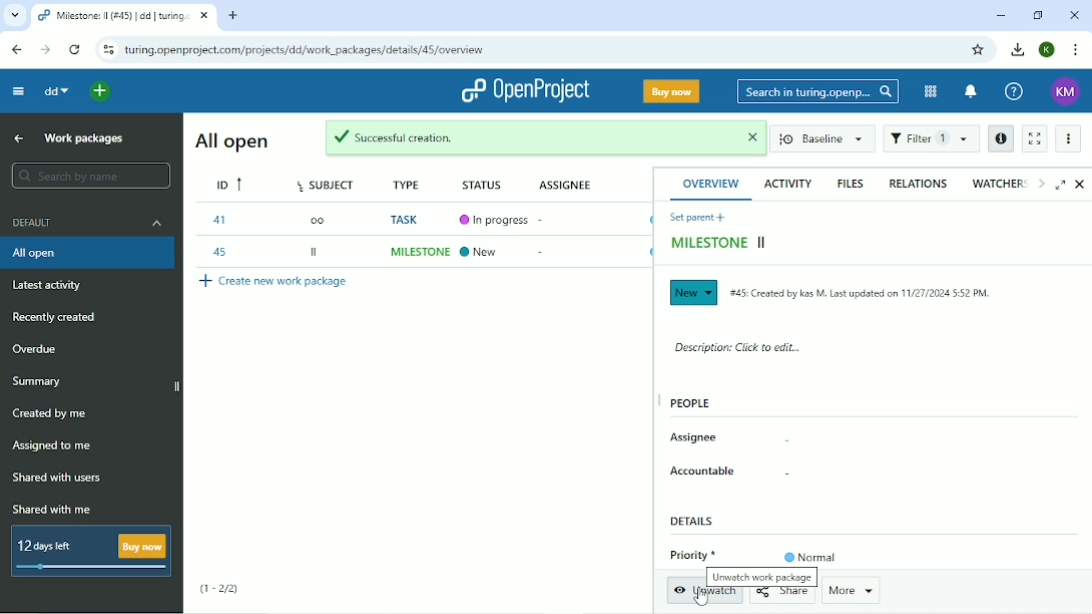 This screenshot has height=614, width=1092. I want to click on Created by me, so click(51, 414).